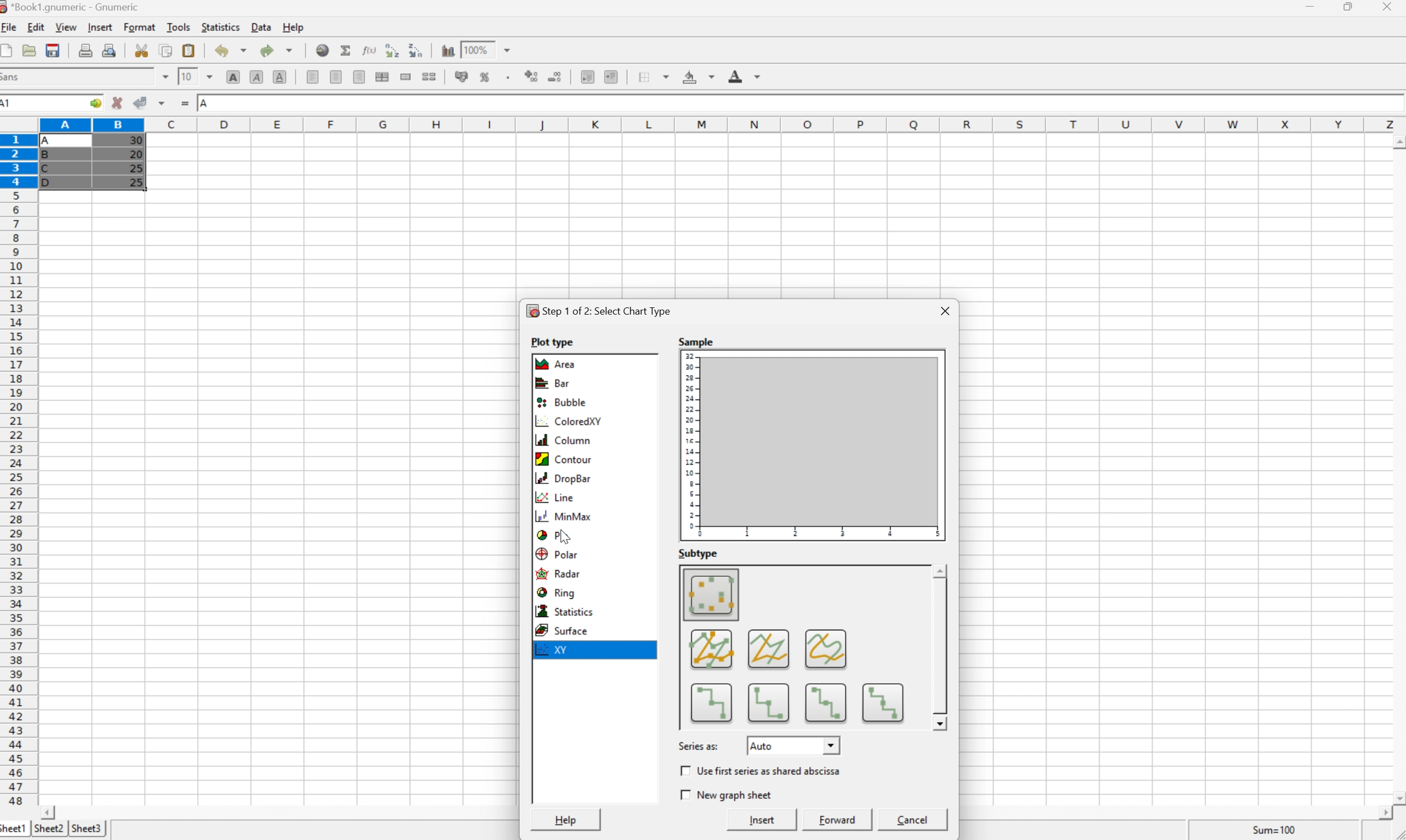 The image size is (1406, 840). I want to click on Bold, so click(233, 77).